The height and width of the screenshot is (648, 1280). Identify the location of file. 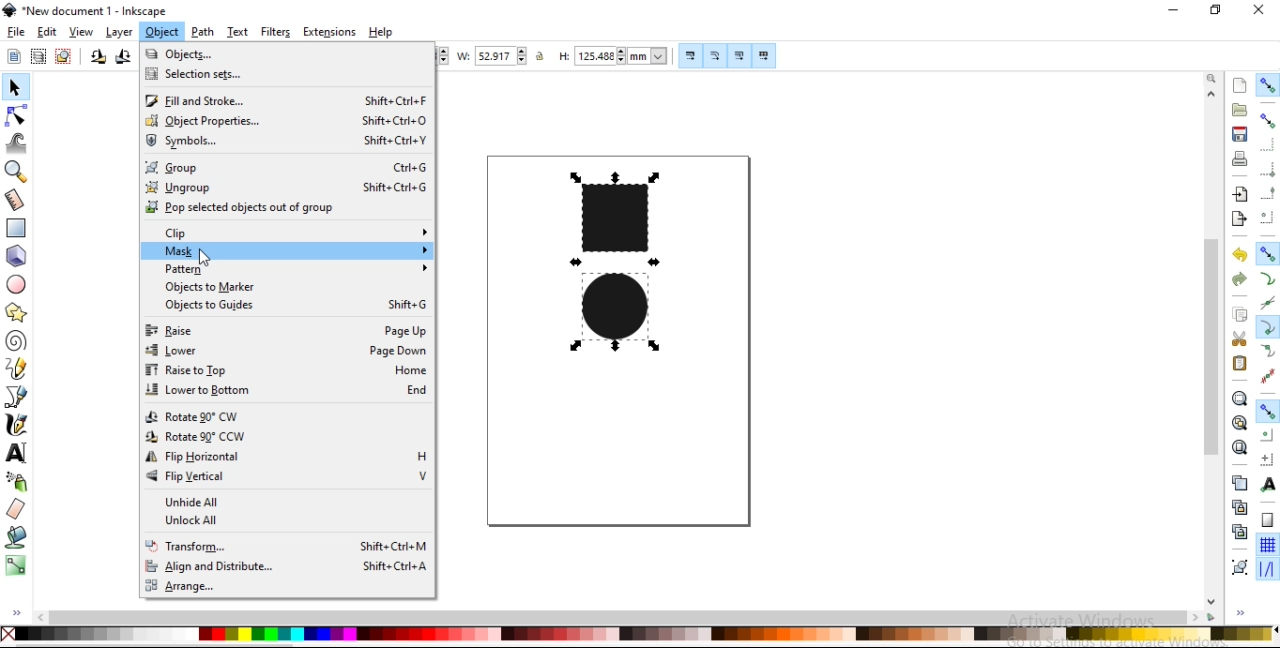
(17, 32).